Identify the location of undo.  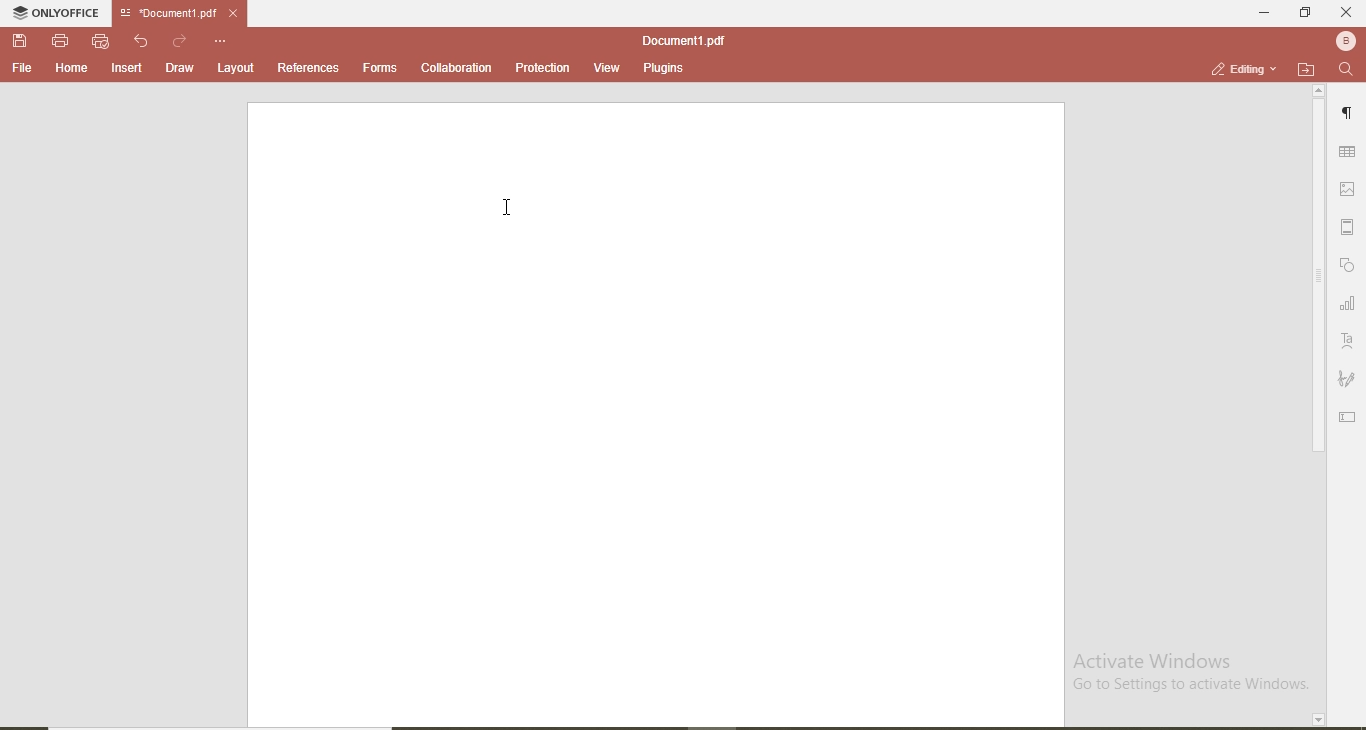
(140, 40).